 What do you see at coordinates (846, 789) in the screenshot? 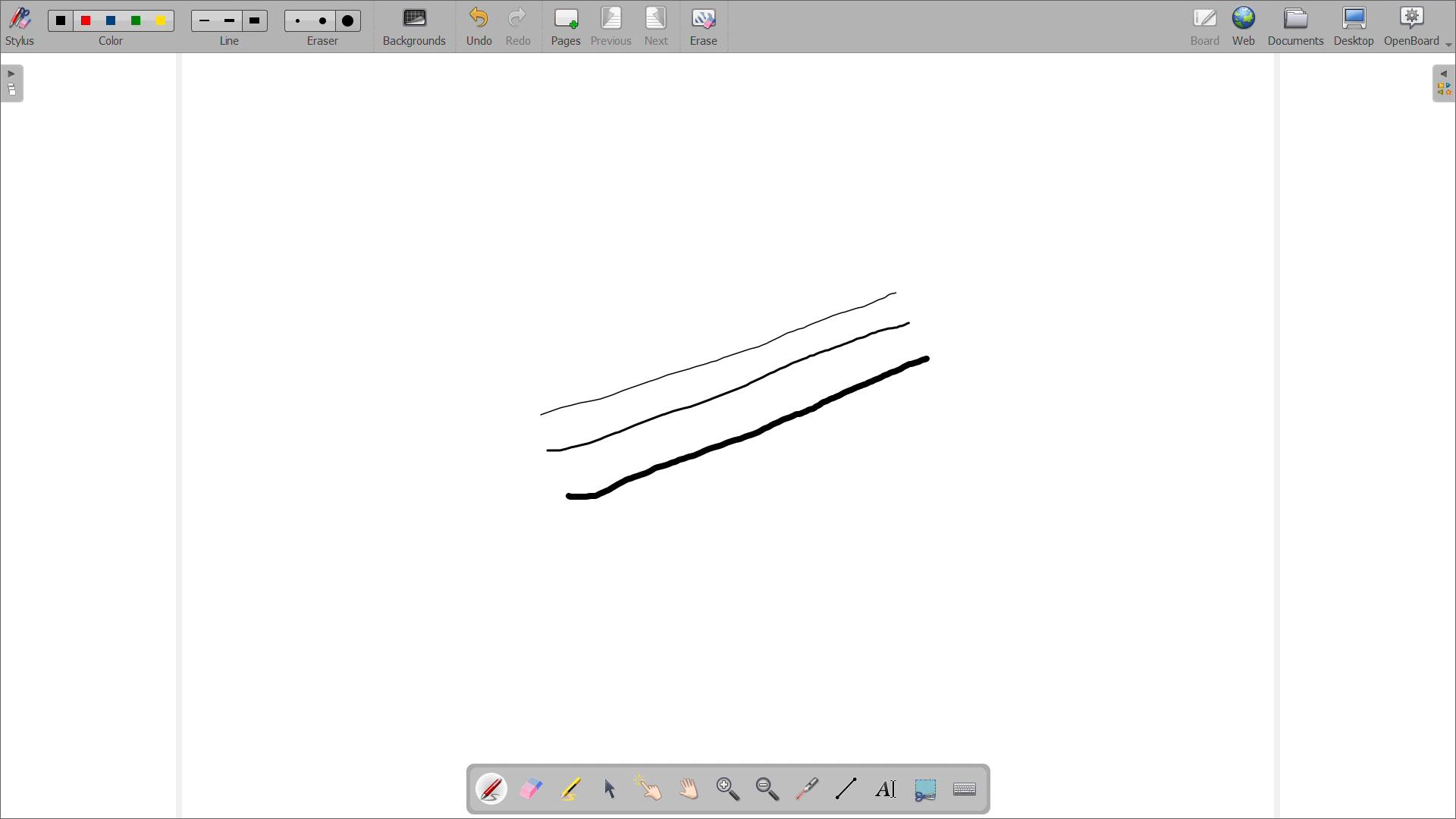
I see `draw lines` at bounding box center [846, 789].